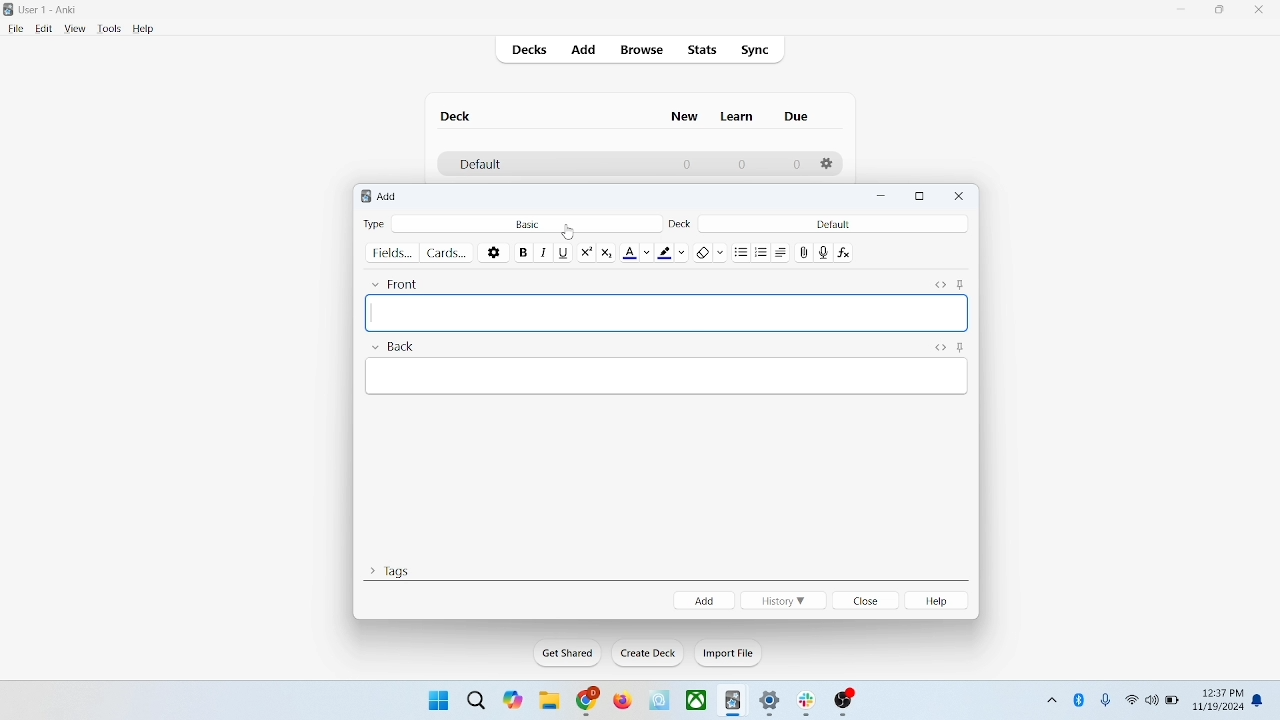 The image size is (1280, 720). Describe the element at coordinates (784, 254) in the screenshot. I see `alignment` at that location.